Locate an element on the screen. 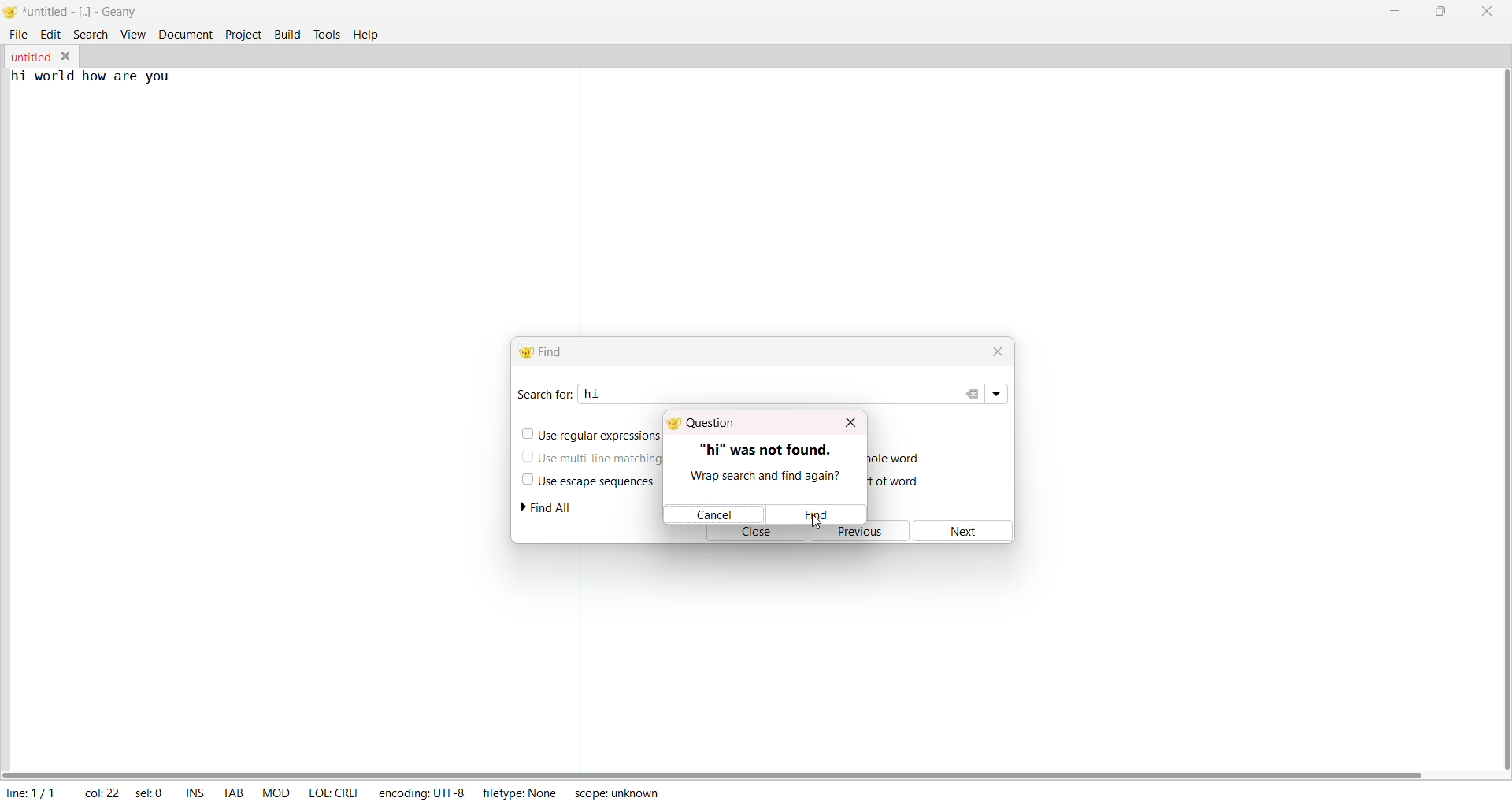 Image resolution: width=1512 pixels, height=802 pixels. tab is located at coordinates (234, 791).